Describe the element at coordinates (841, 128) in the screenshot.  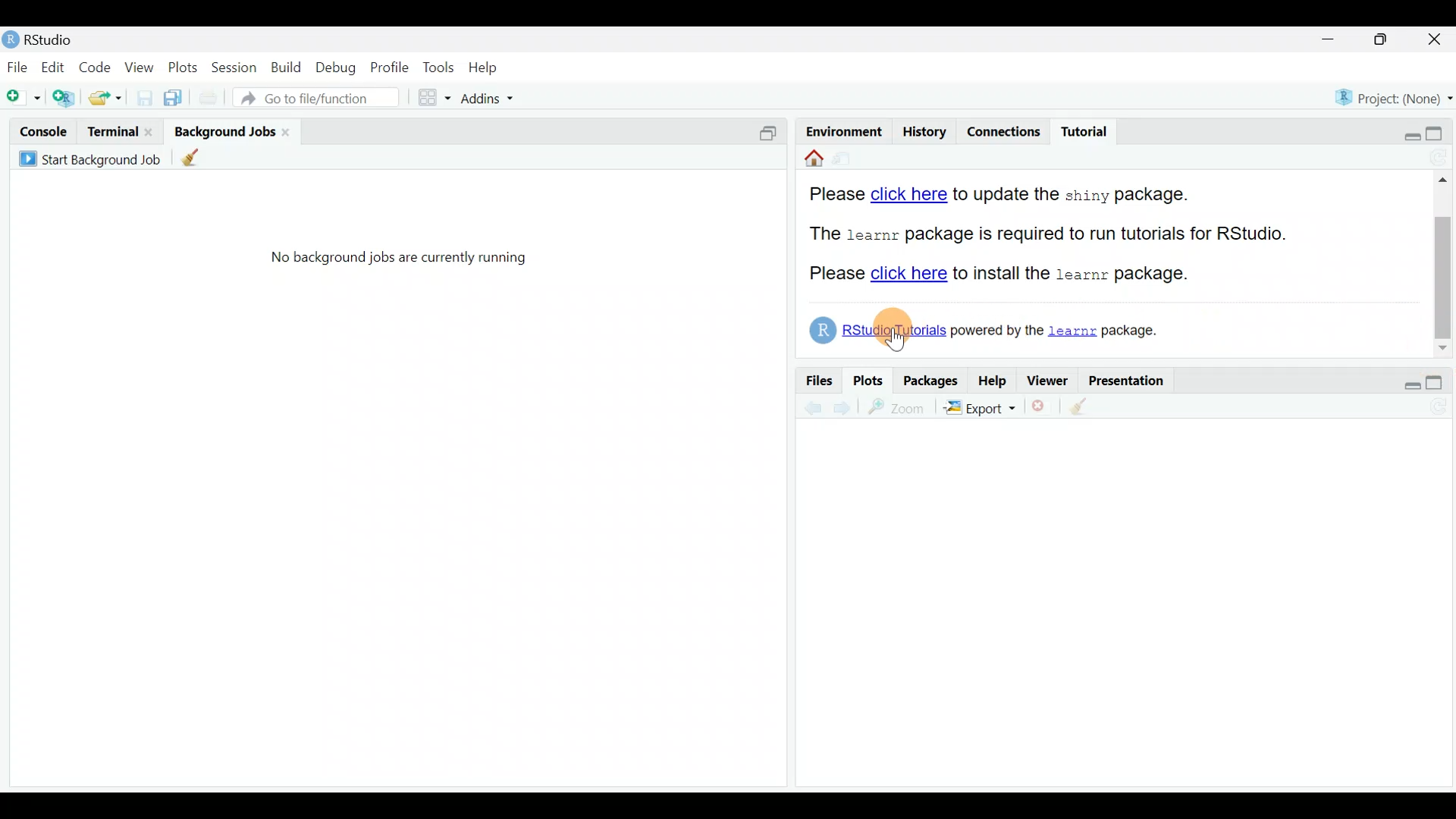
I see `Environment` at that location.